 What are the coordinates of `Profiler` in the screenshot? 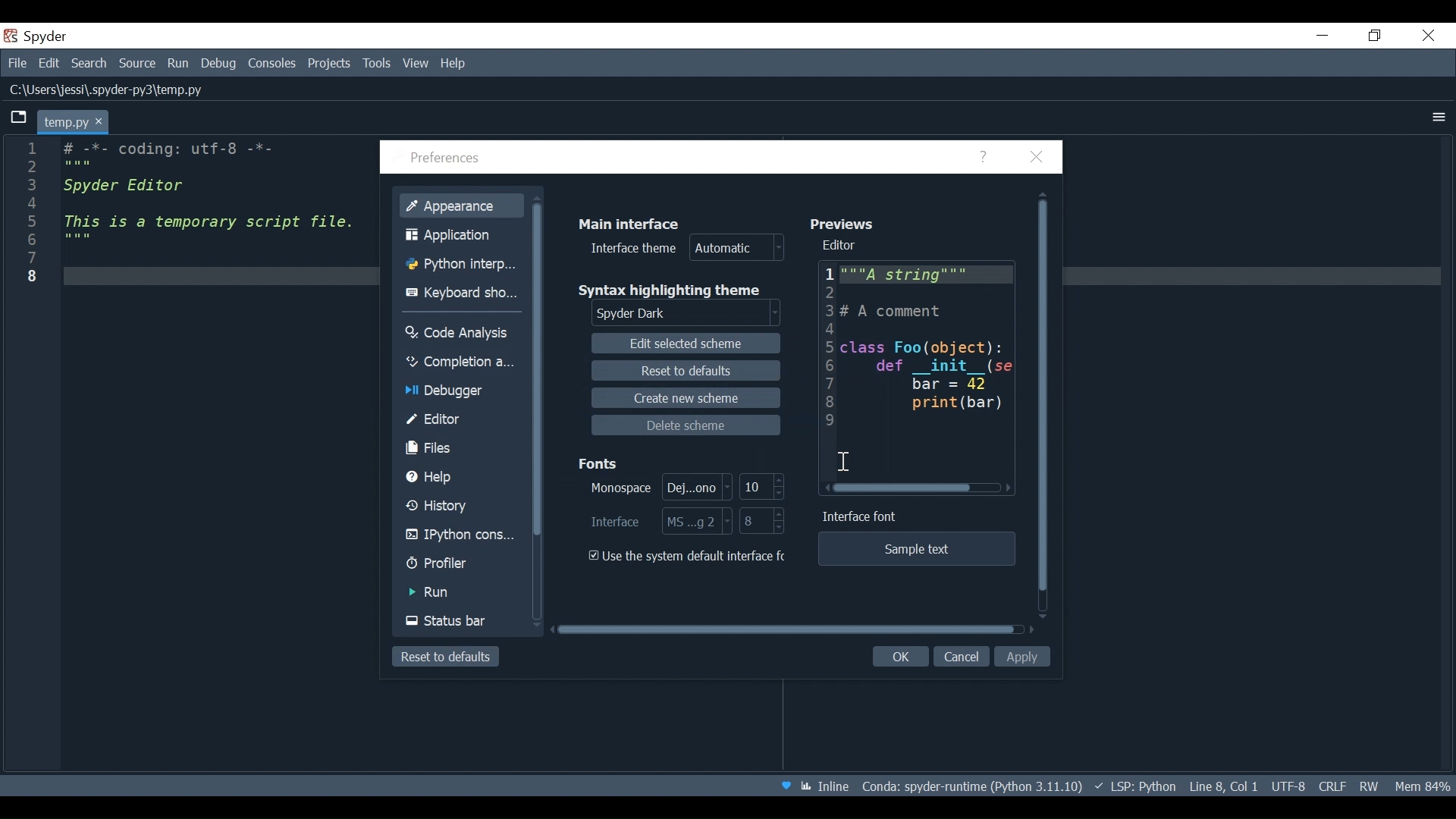 It's located at (460, 565).